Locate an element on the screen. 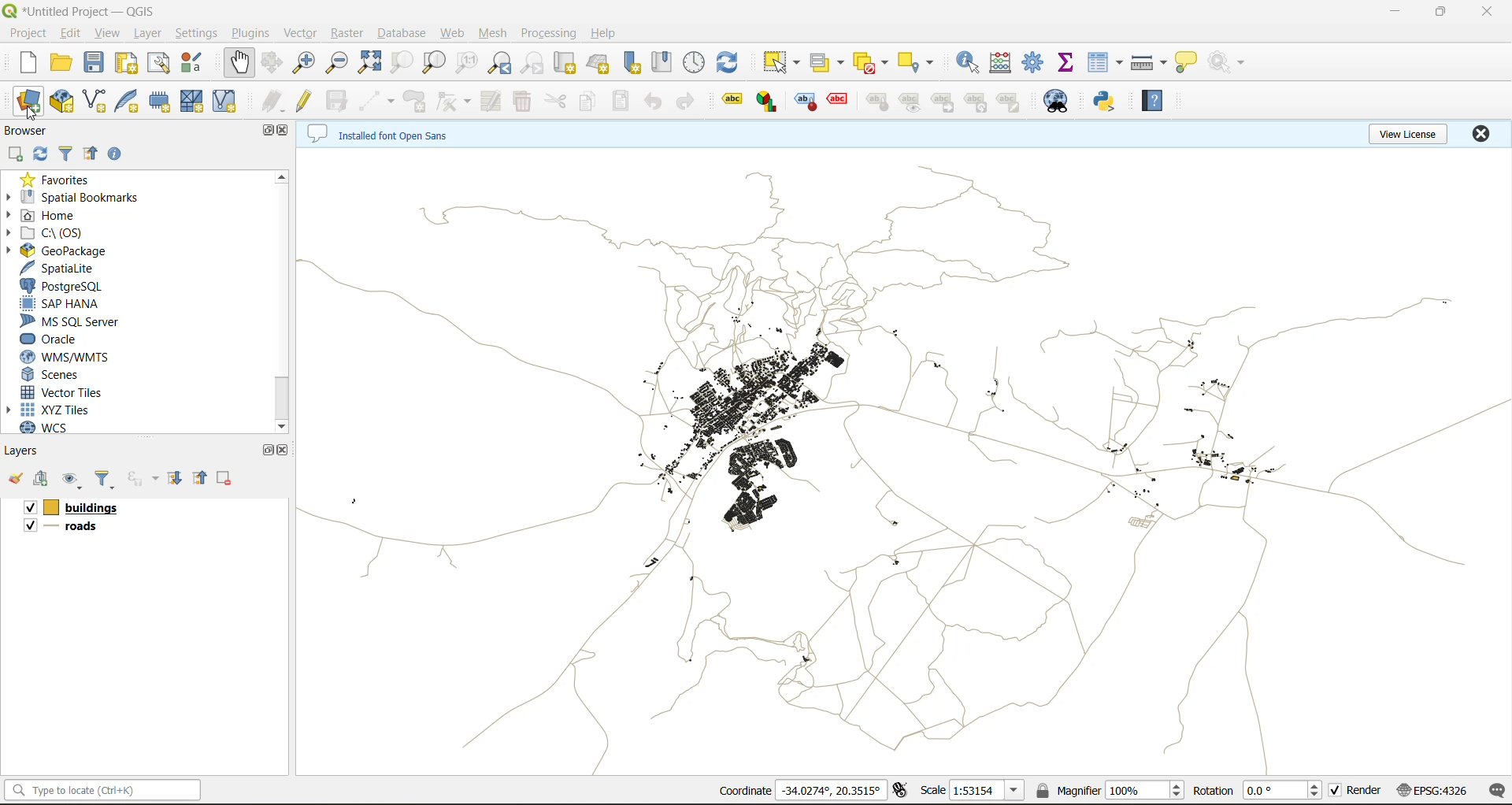 This screenshot has height=805, width=1512. new geopackage layer is located at coordinates (62, 102).